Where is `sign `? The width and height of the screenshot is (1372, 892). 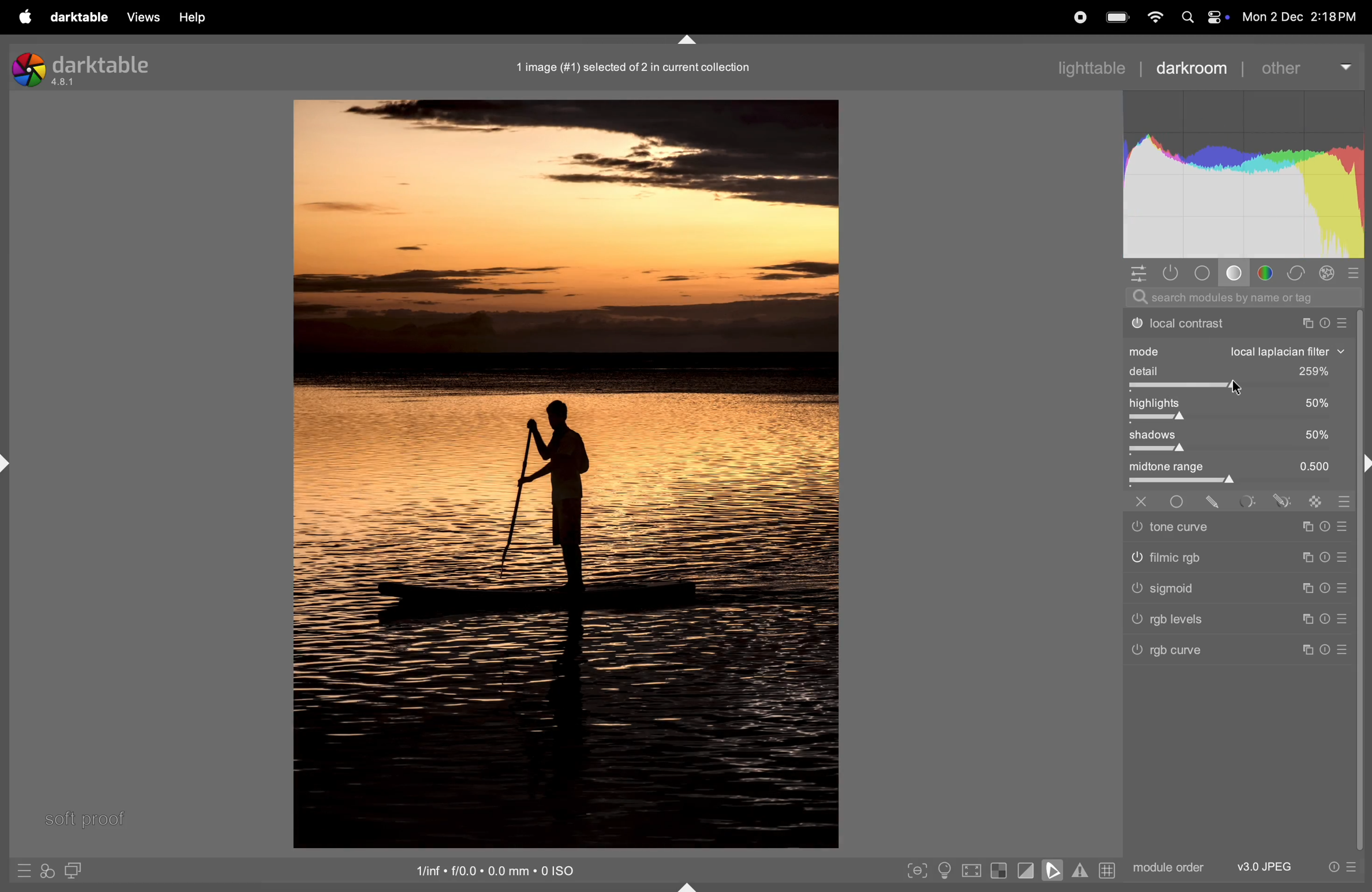 sign  is located at coordinates (1329, 618).